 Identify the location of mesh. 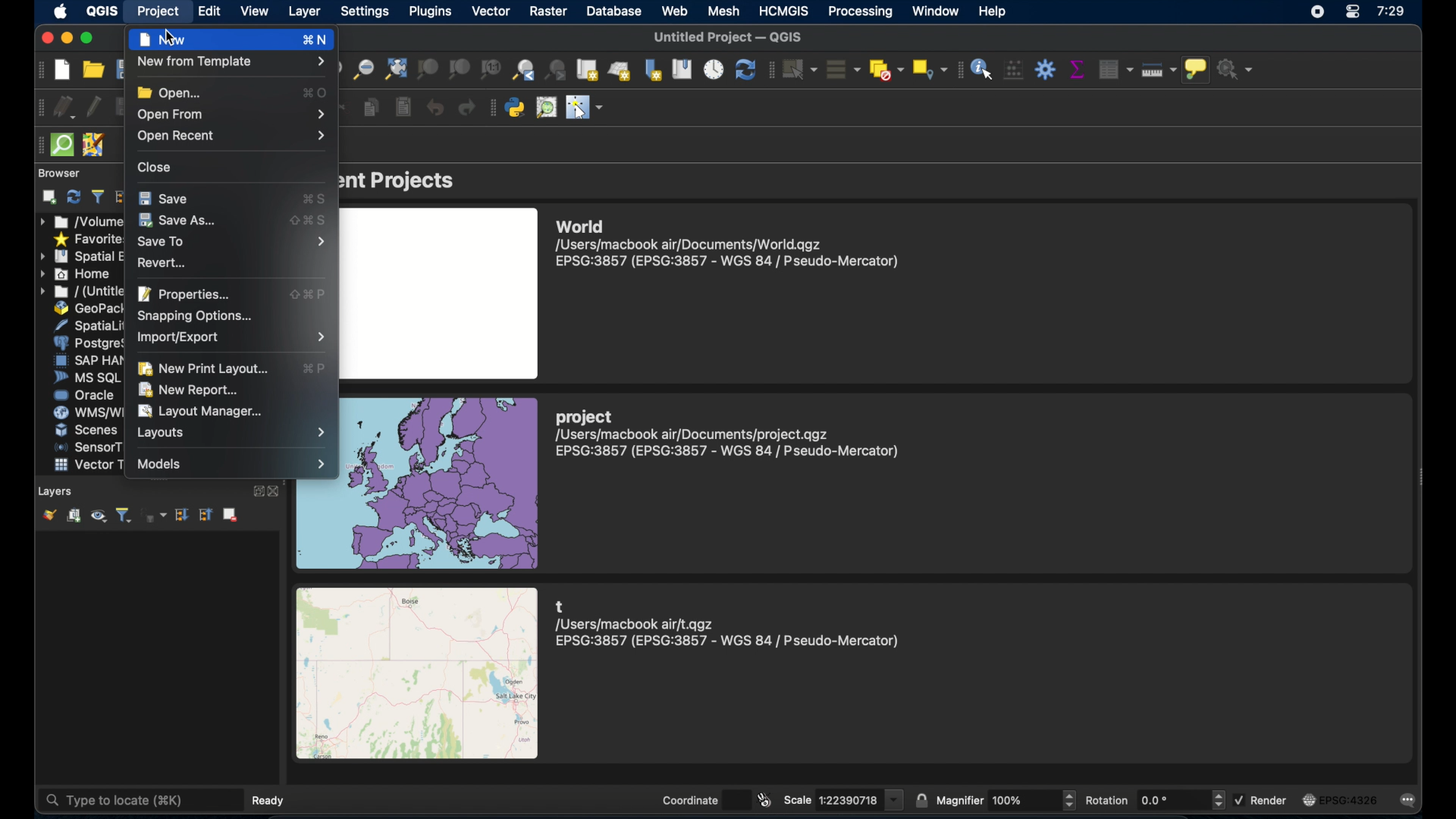
(726, 11).